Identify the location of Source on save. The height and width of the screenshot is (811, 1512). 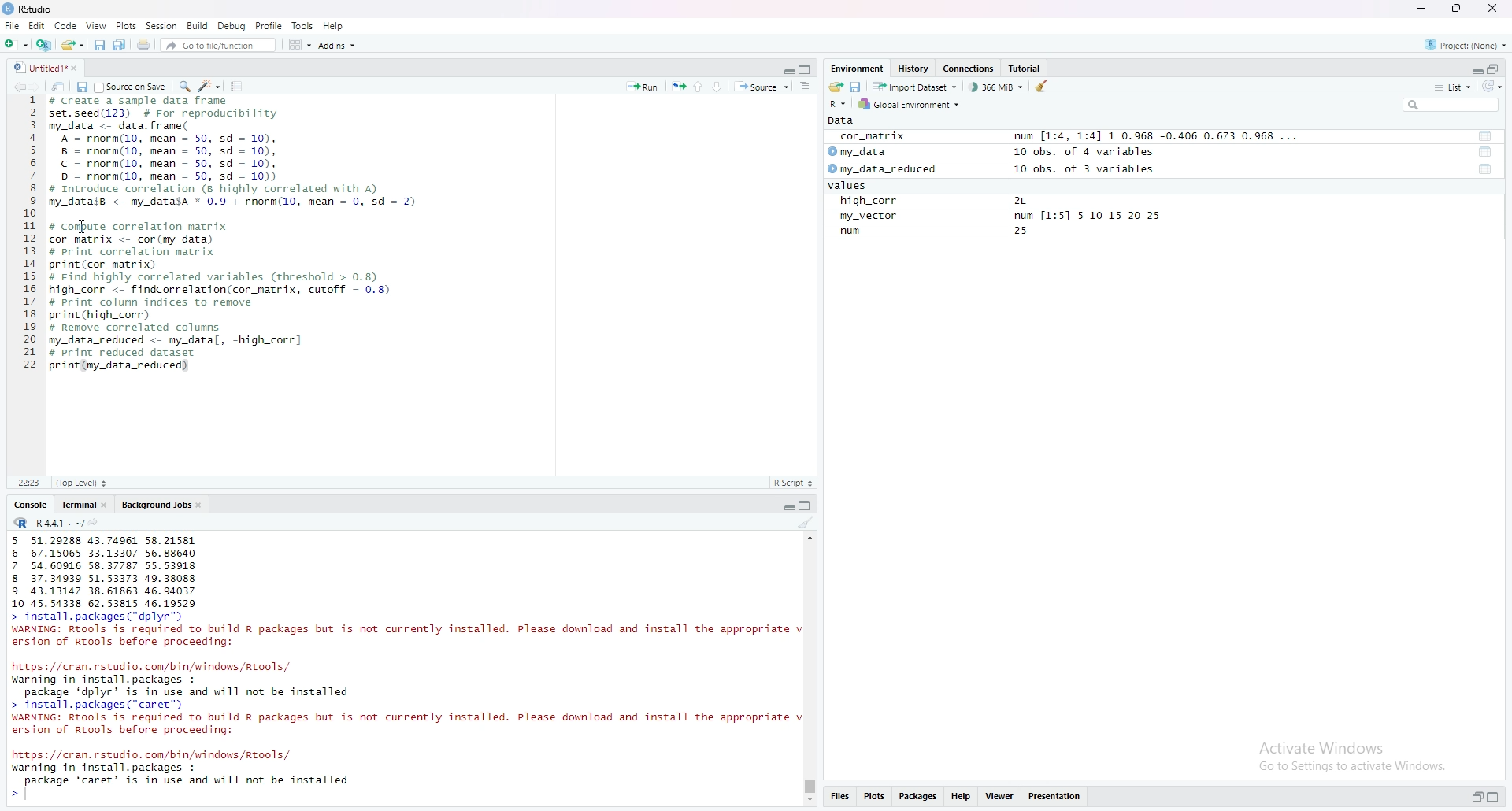
(132, 87).